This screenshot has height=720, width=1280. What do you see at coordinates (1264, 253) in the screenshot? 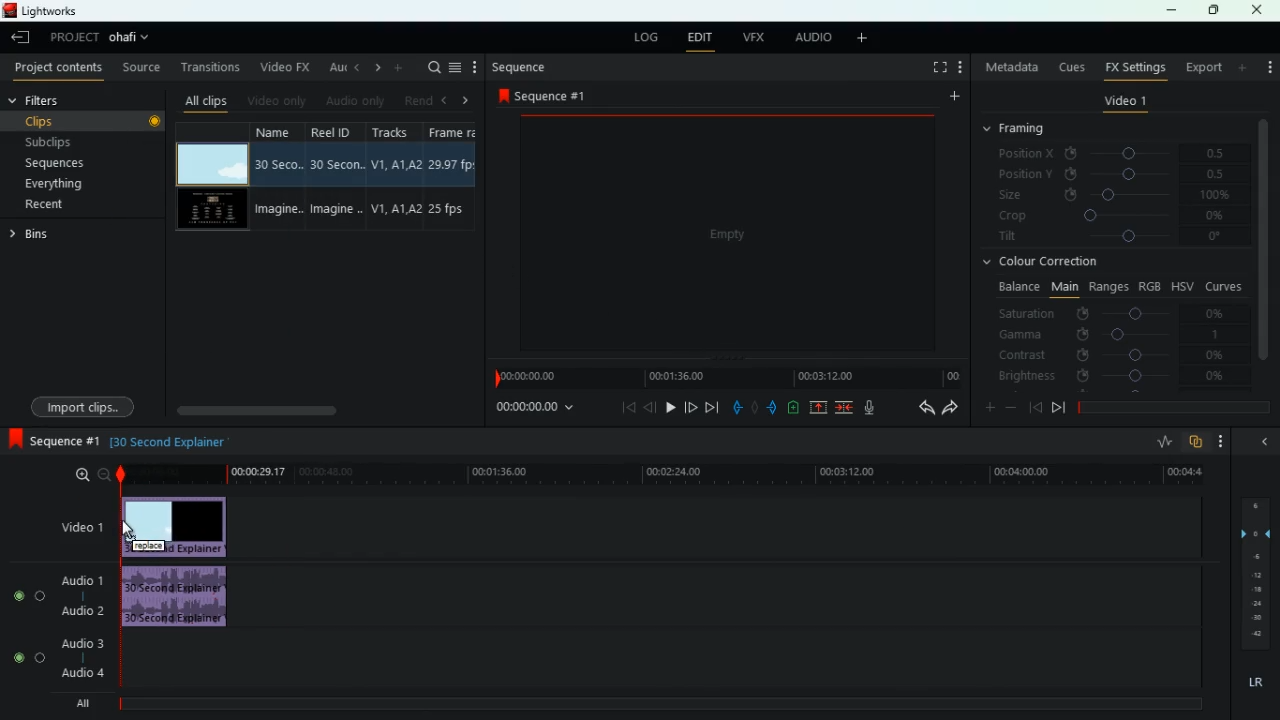
I see `vertical scroll bar` at bounding box center [1264, 253].